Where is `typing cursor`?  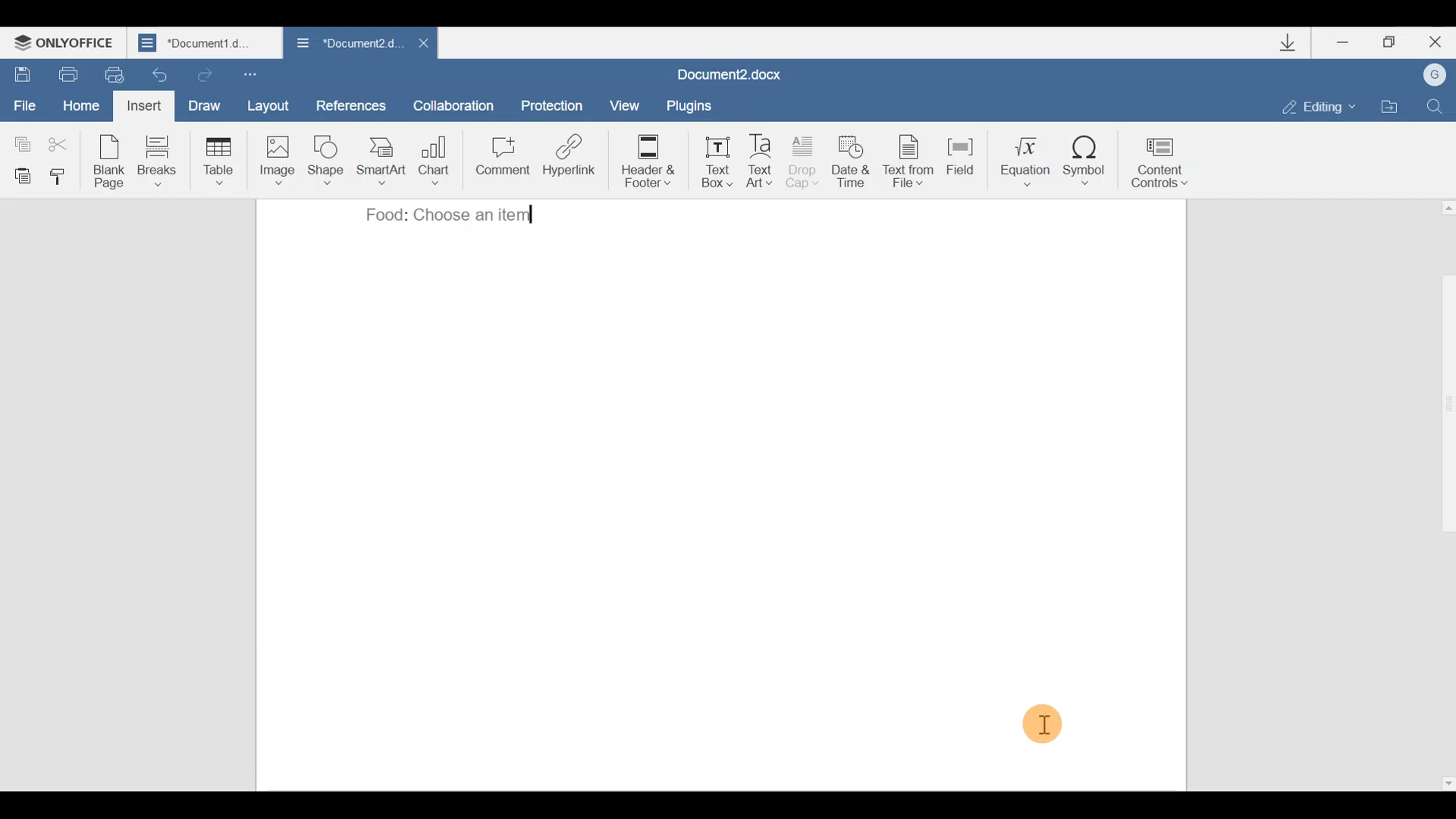
typing cursor is located at coordinates (530, 215).